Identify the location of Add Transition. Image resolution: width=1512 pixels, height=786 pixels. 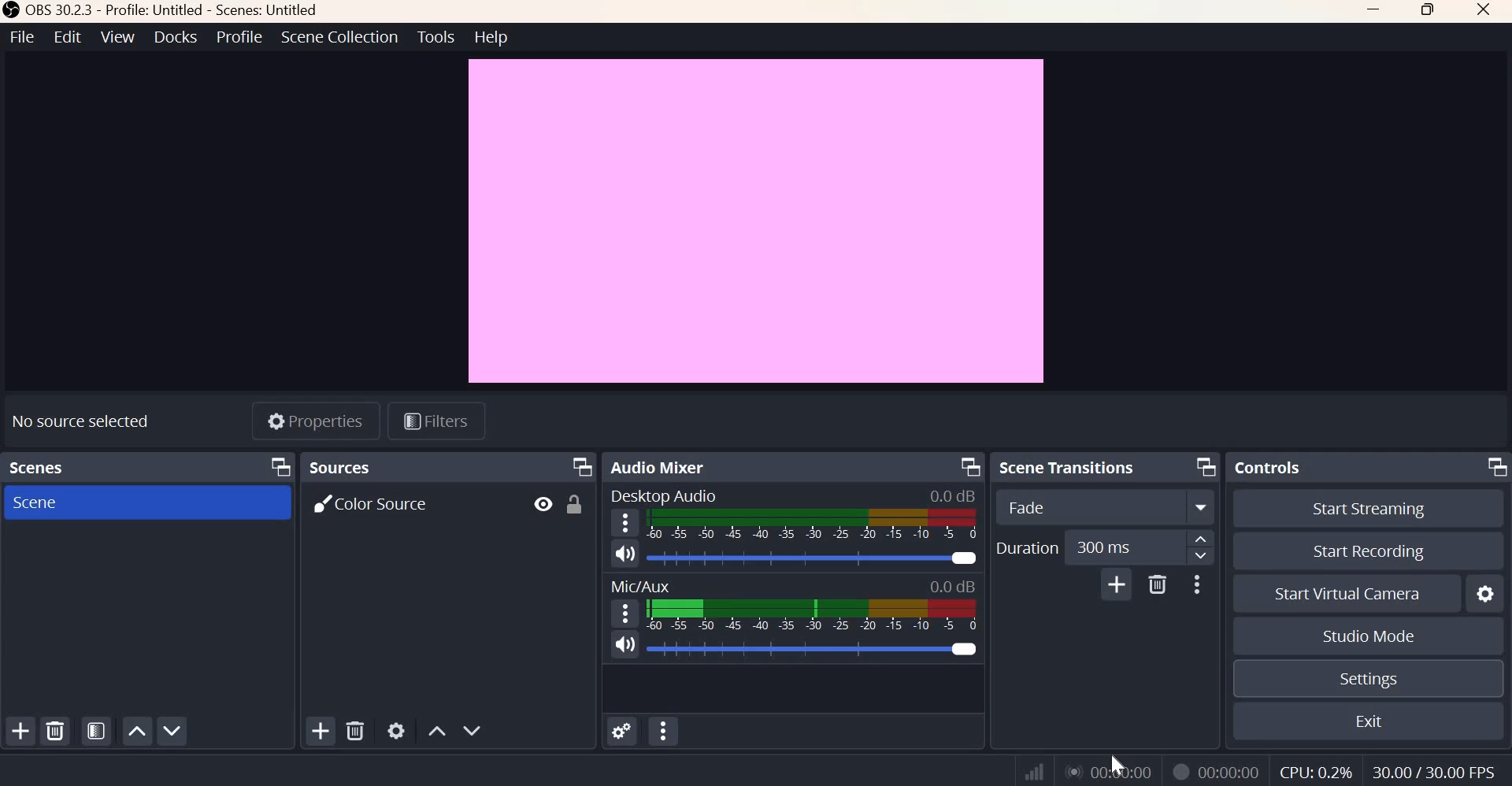
(1116, 586).